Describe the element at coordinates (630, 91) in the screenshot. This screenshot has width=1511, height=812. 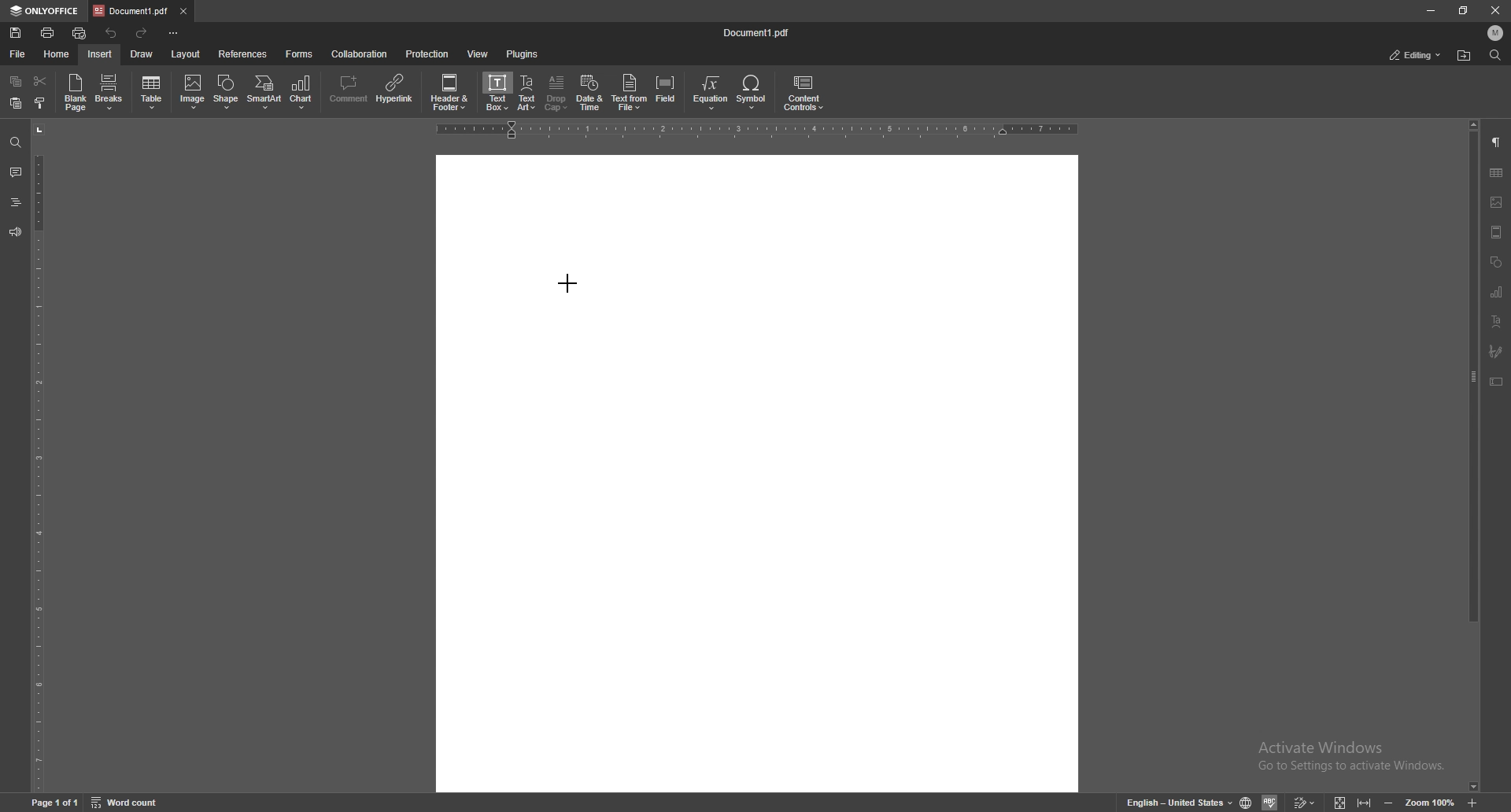
I see `text from file` at that location.